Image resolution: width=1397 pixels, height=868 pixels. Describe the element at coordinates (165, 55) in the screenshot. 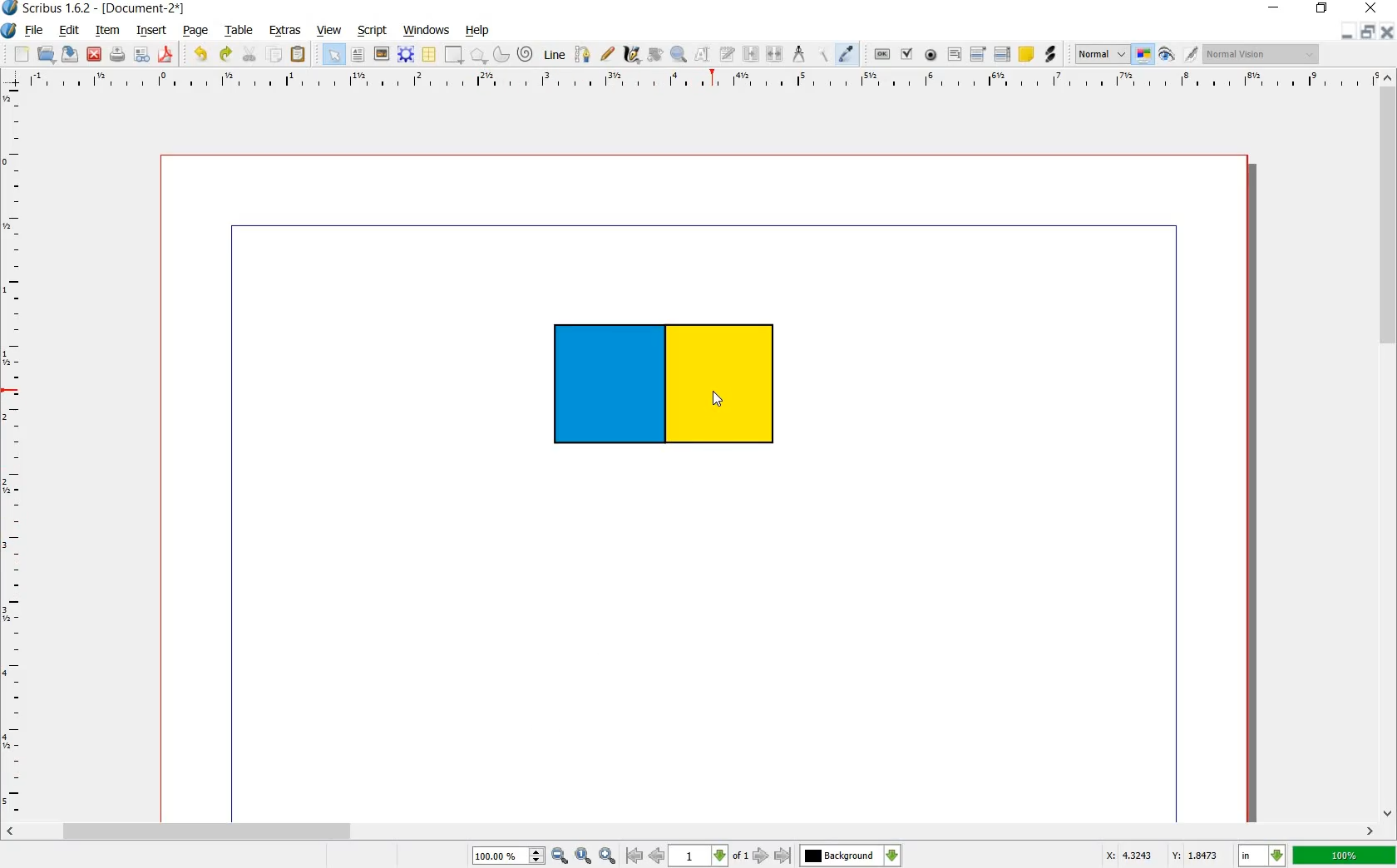

I see `save as a pdf` at that location.